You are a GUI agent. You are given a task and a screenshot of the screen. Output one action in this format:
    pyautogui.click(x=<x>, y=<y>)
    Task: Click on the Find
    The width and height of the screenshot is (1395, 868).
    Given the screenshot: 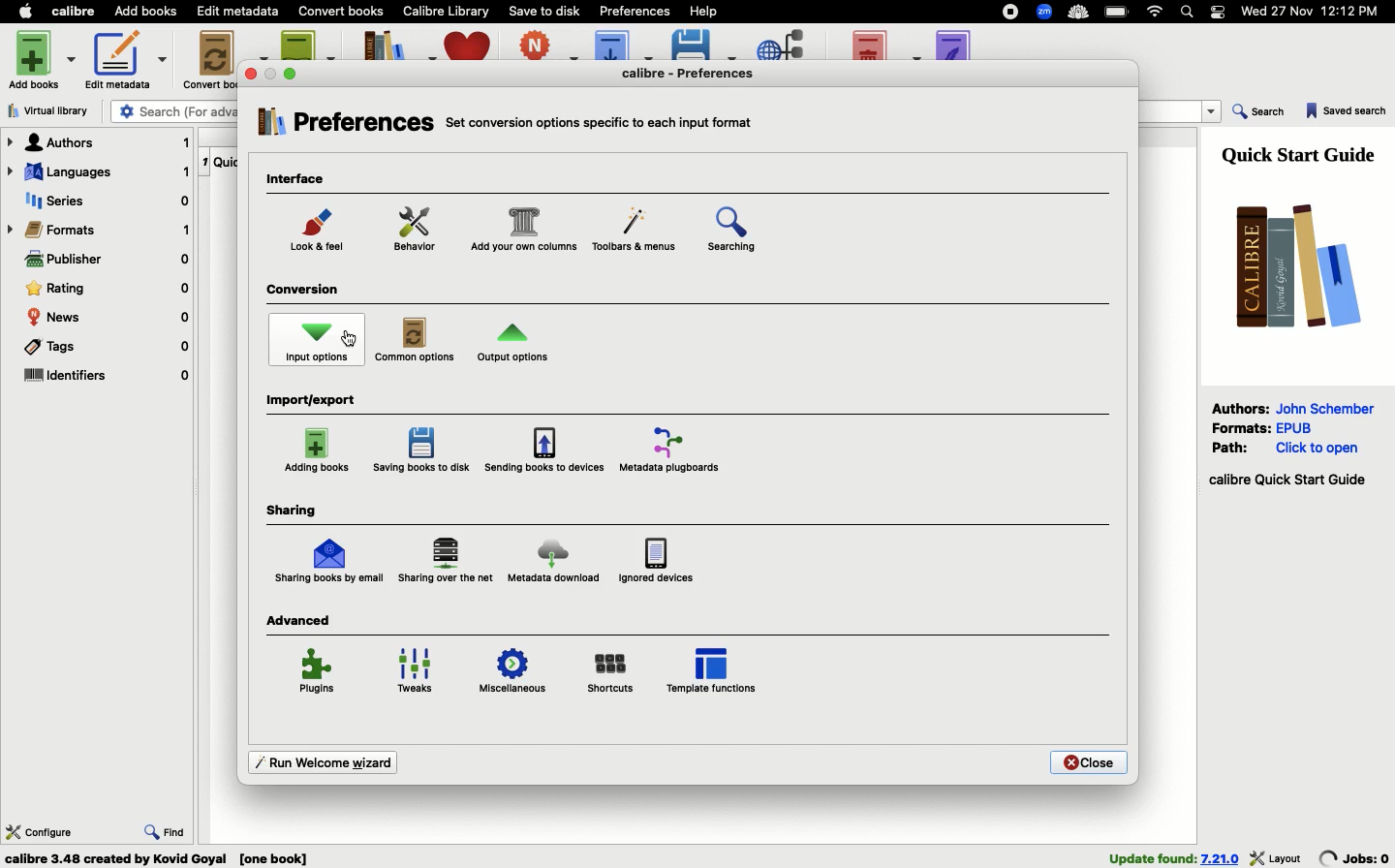 What is the action you would take?
    pyautogui.click(x=166, y=829)
    